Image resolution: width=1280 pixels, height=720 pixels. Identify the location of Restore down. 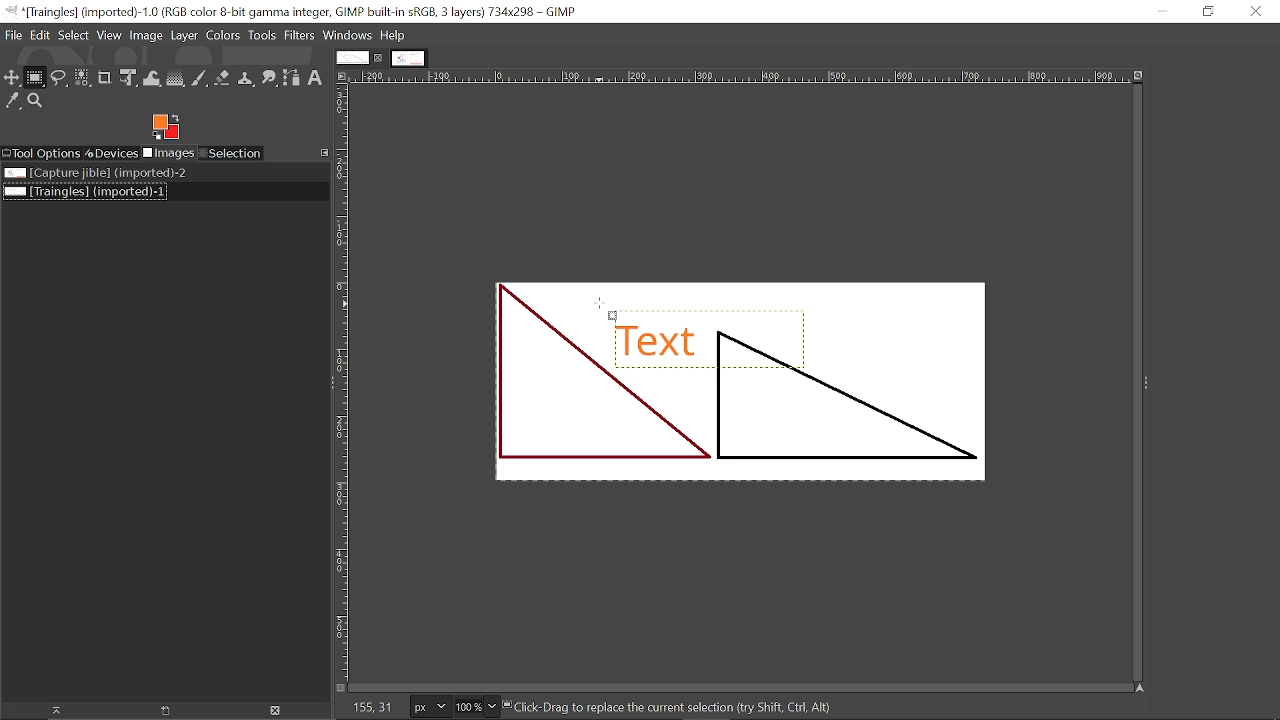
(1210, 12).